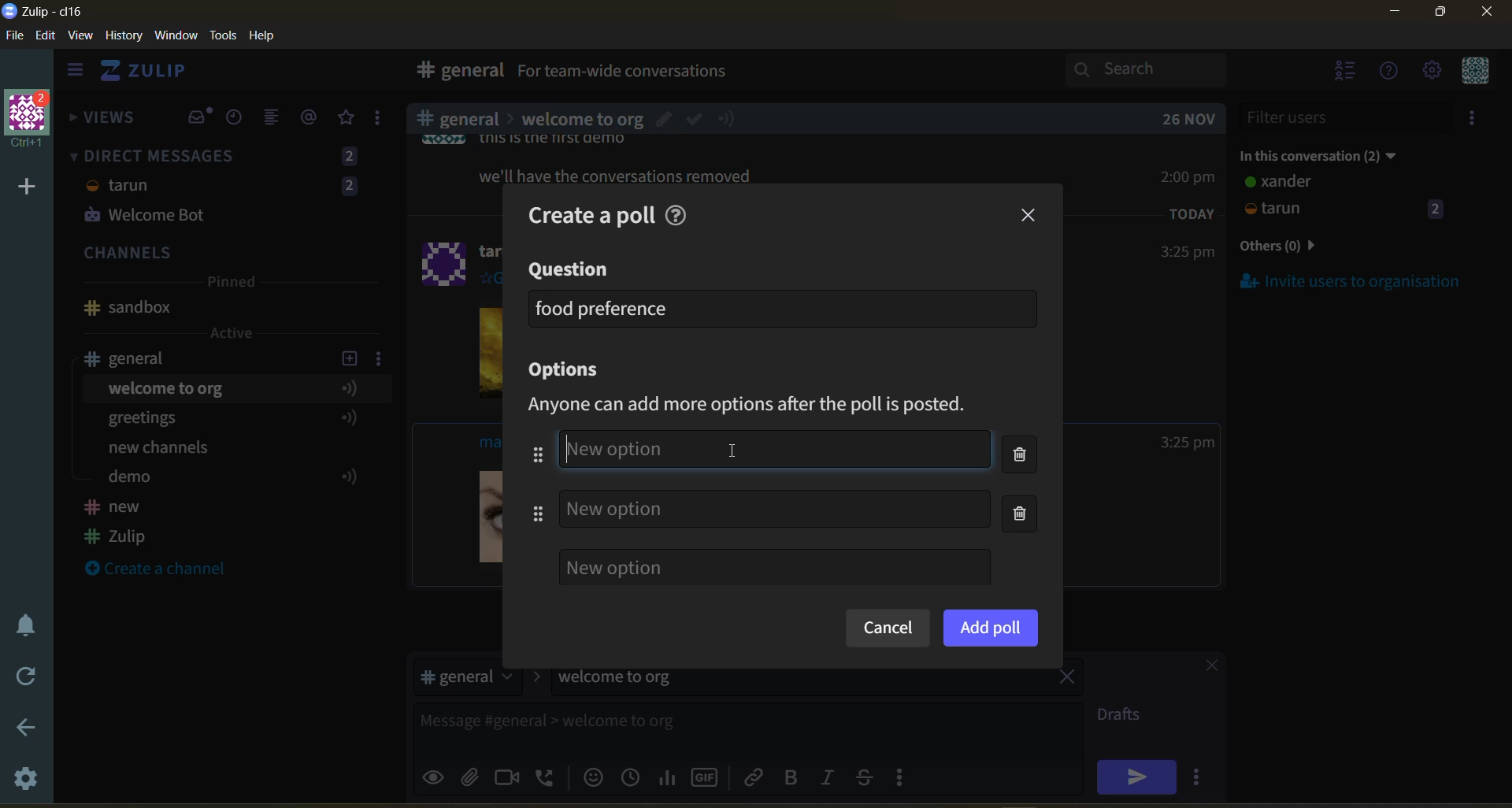 Image resolution: width=1512 pixels, height=808 pixels. What do you see at coordinates (1068, 715) in the screenshot?
I see `expand compose box` at bounding box center [1068, 715].